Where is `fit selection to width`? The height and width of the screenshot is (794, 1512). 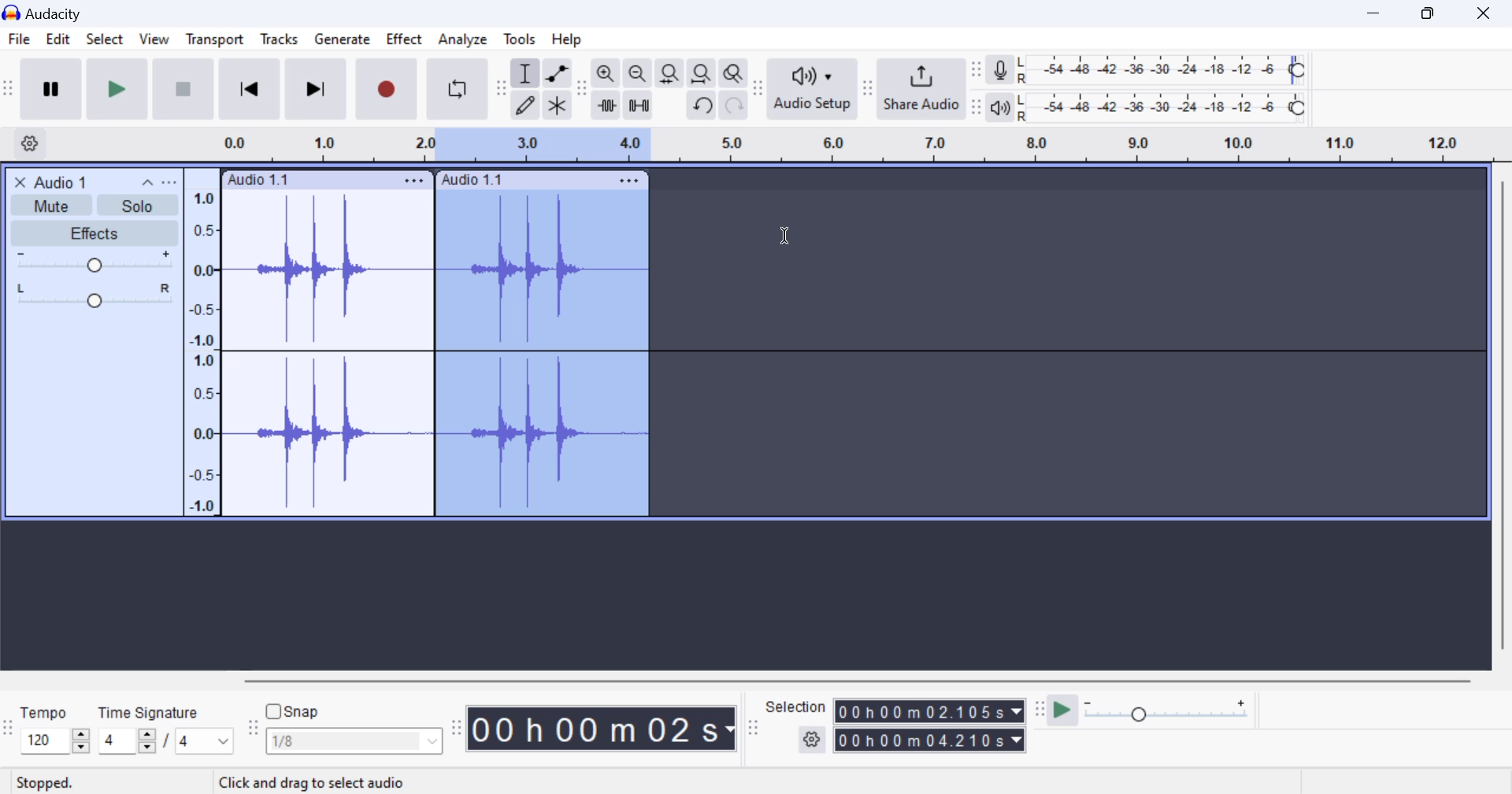
fit selection to width is located at coordinates (668, 75).